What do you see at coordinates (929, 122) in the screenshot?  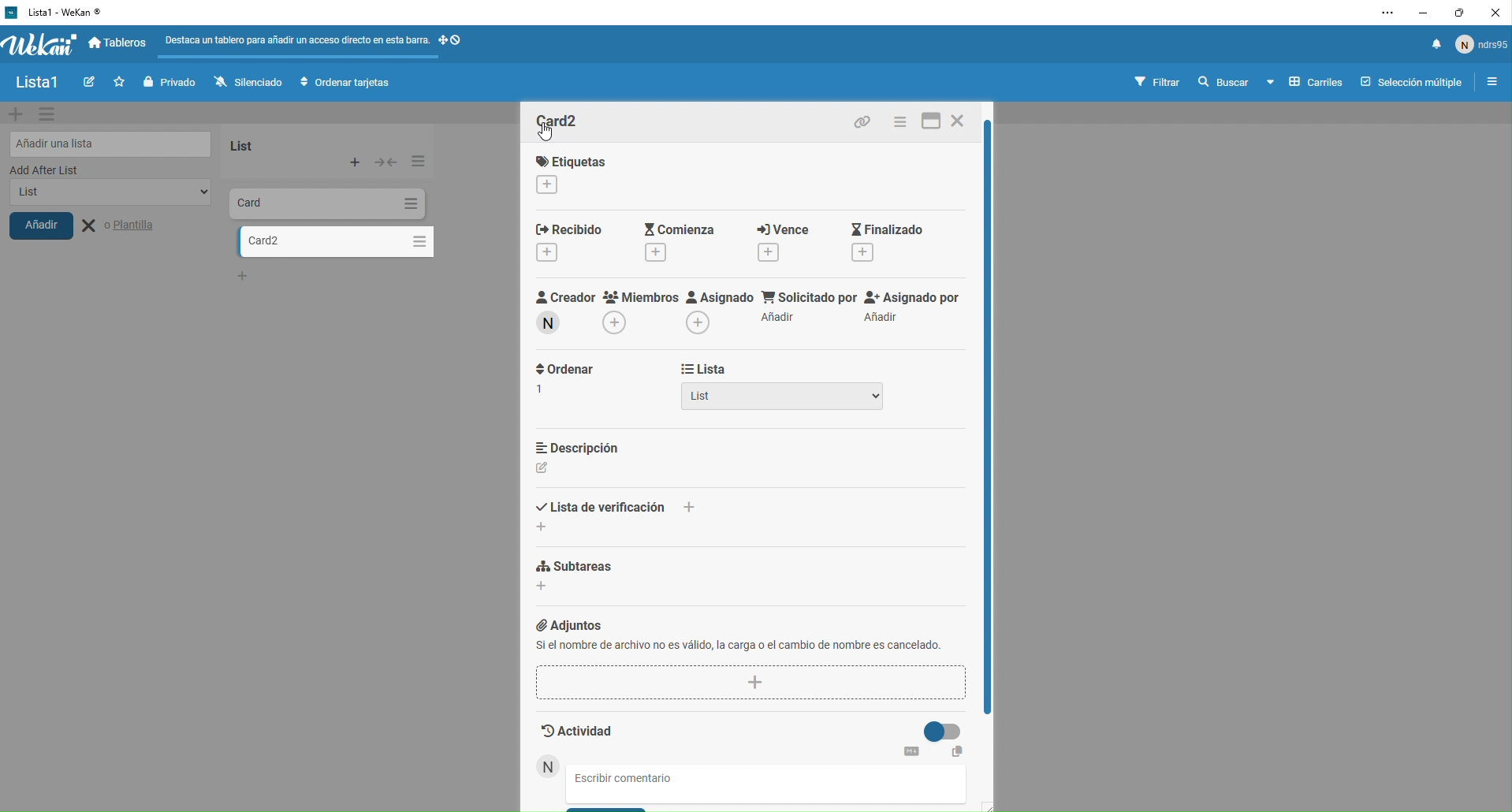 I see `window` at bounding box center [929, 122].